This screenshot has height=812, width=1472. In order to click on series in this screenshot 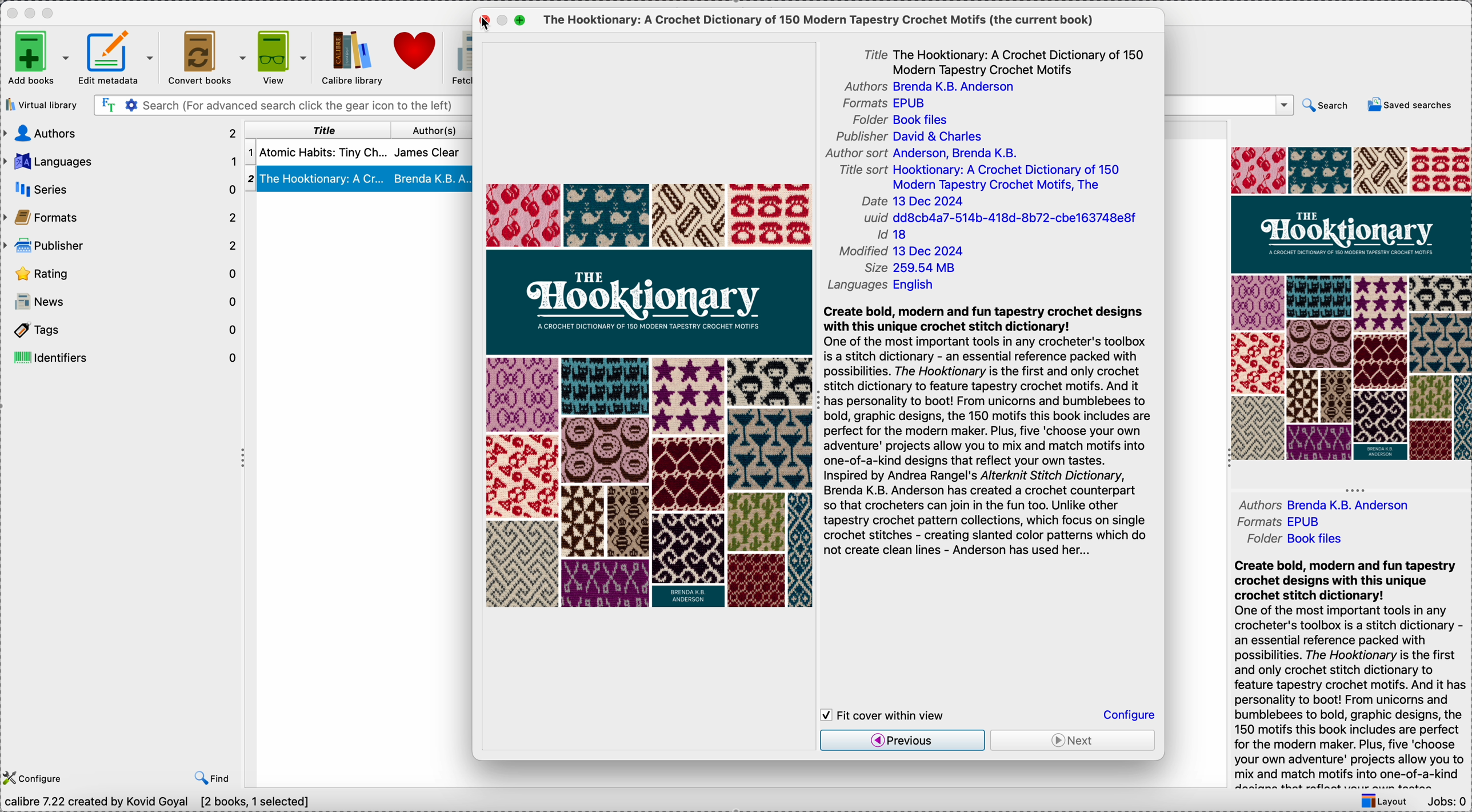, I will do `click(119, 189)`.